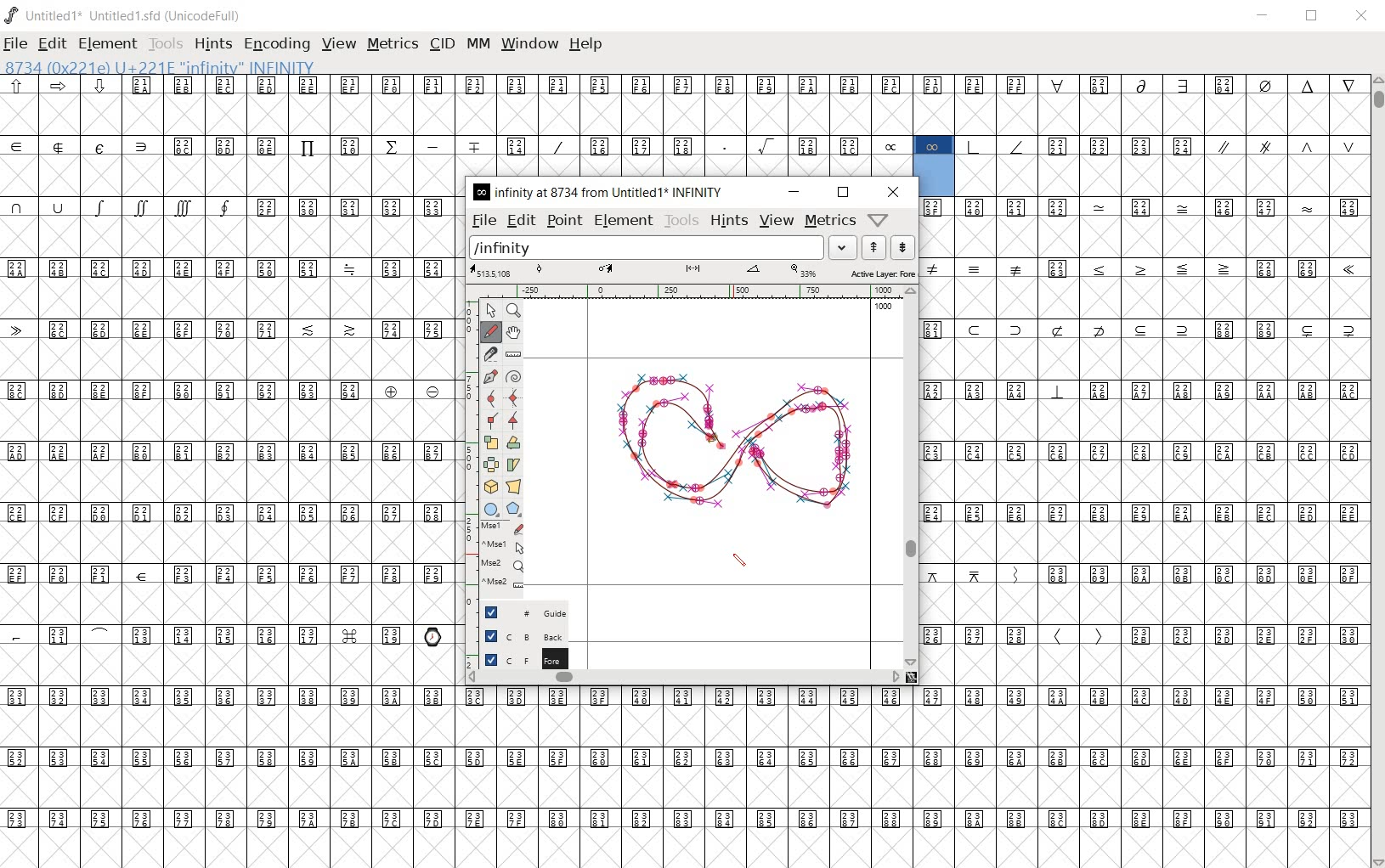  Describe the element at coordinates (232, 667) in the screenshot. I see `empty glyph slots` at that location.